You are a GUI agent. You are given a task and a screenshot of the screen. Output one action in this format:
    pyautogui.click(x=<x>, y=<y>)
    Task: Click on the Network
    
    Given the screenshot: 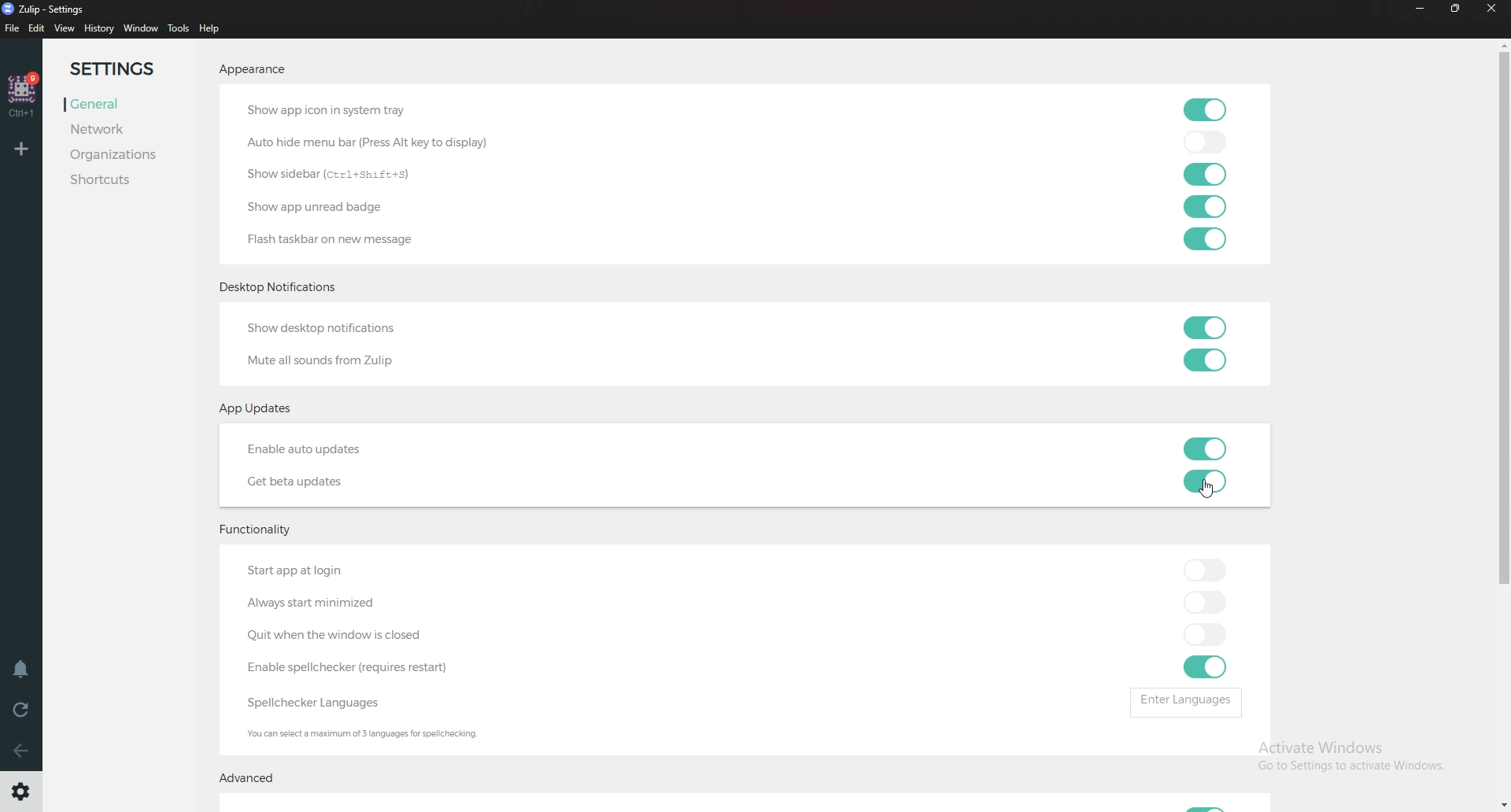 What is the action you would take?
    pyautogui.click(x=135, y=130)
    